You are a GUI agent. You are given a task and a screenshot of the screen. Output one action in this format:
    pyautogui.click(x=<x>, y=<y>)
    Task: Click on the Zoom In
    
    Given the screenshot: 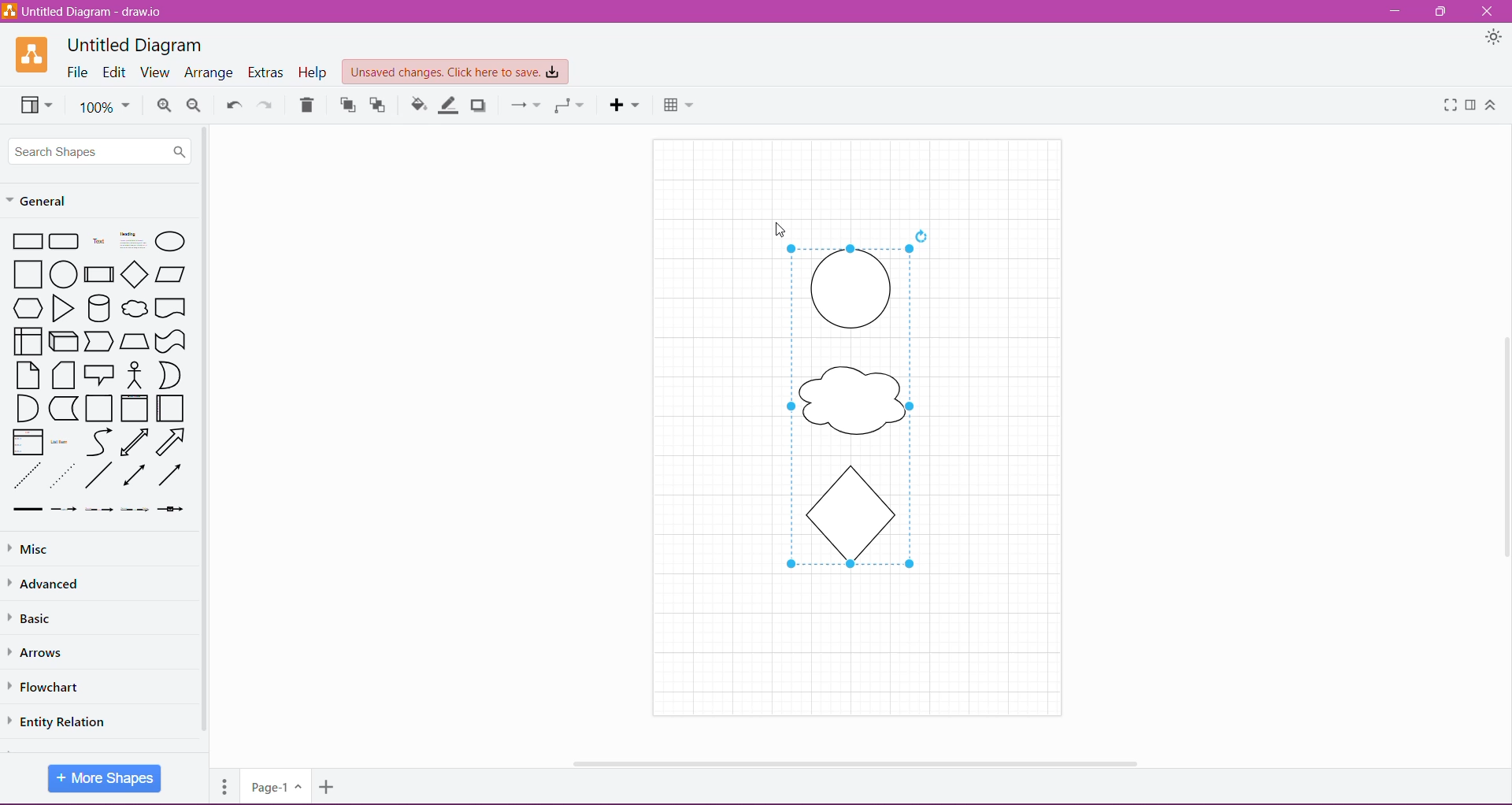 What is the action you would take?
    pyautogui.click(x=164, y=106)
    